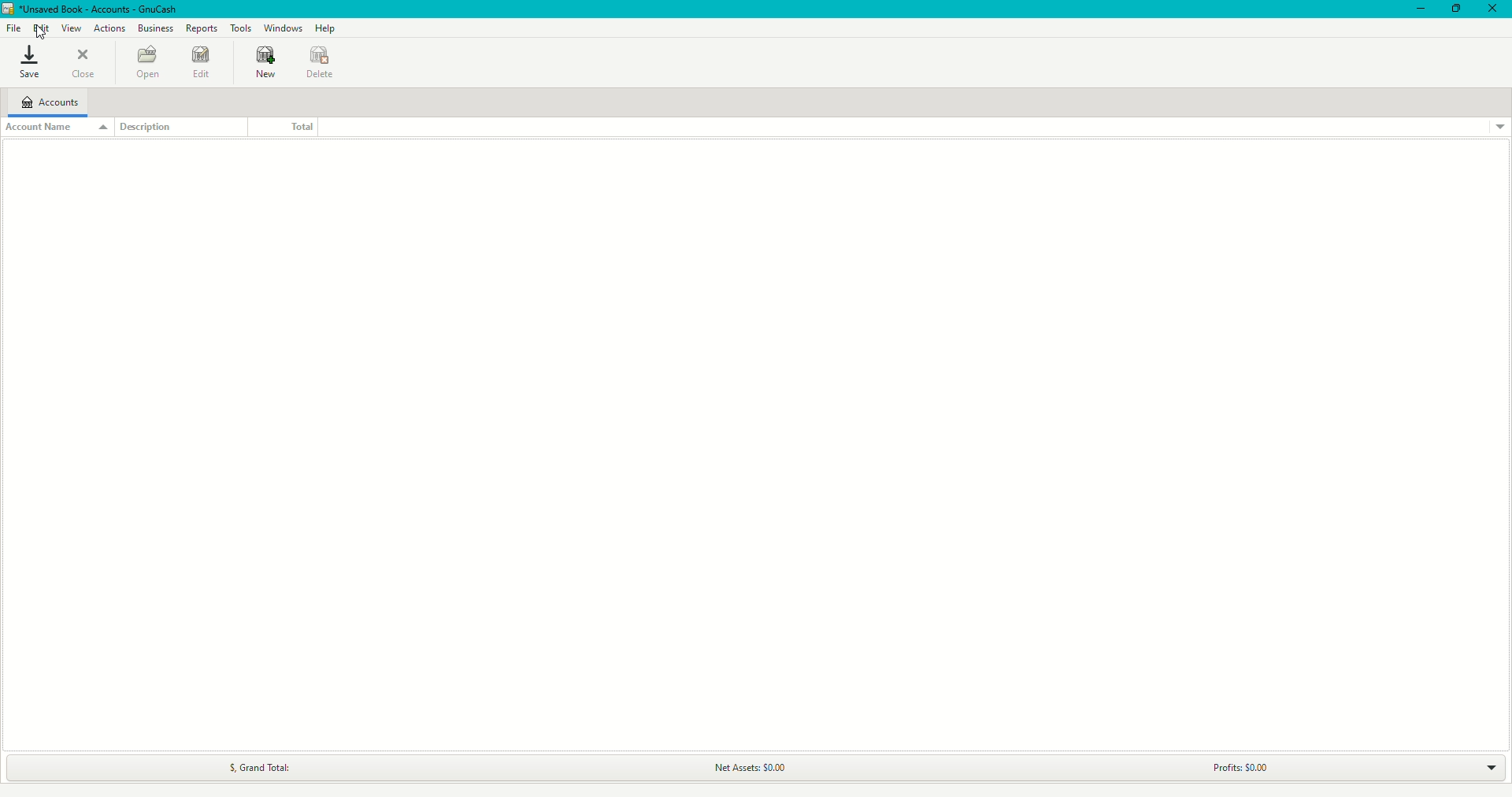 The width and height of the screenshot is (1512, 797). What do you see at coordinates (154, 128) in the screenshot?
I see `Description` at bounding box center [154, 128].